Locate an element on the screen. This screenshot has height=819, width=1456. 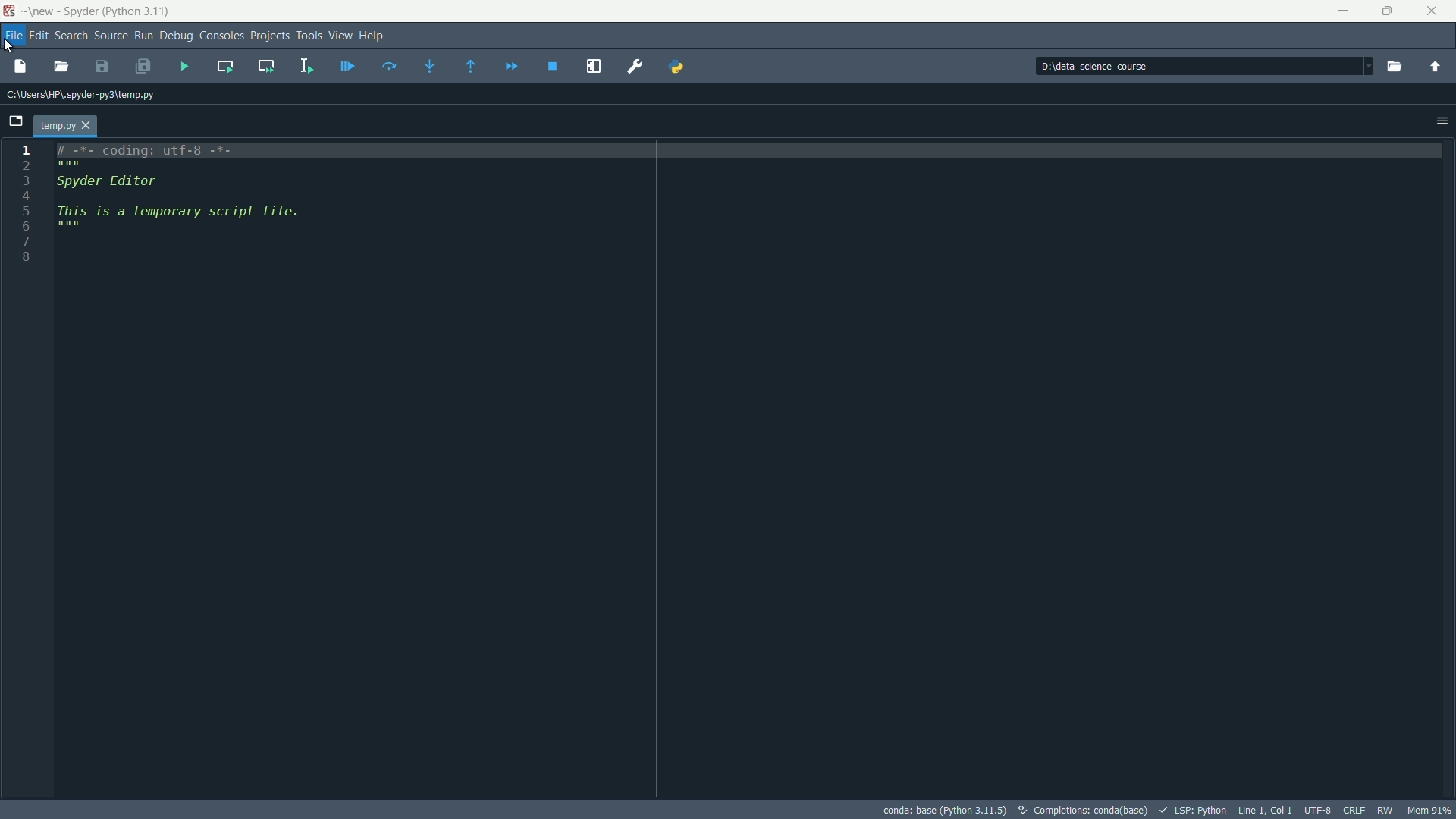
close is located at coordinates (1433, 11).